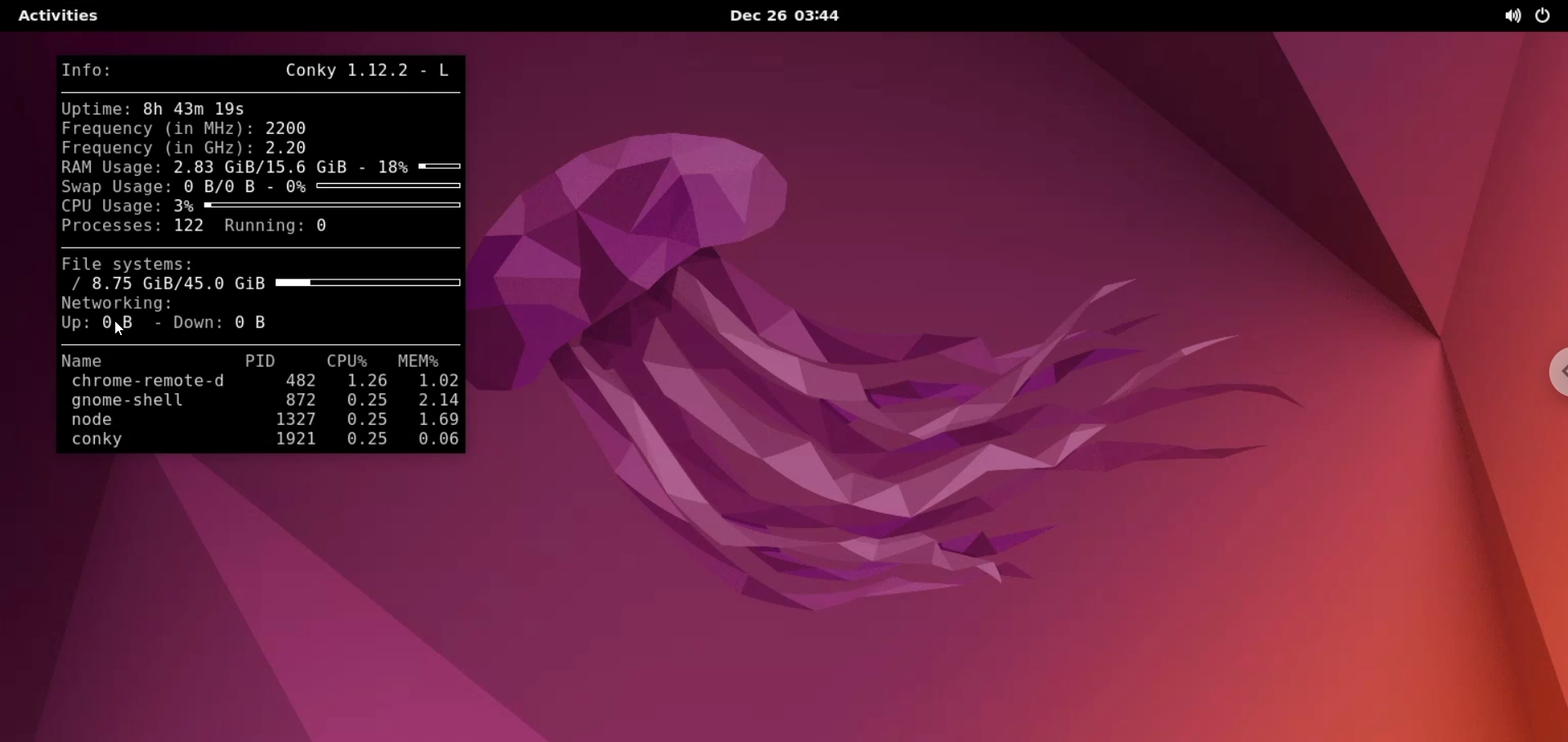 Image resolution: width=1568 pixels, height=742 pixels. I want to click on 1327, so click(298, 419).